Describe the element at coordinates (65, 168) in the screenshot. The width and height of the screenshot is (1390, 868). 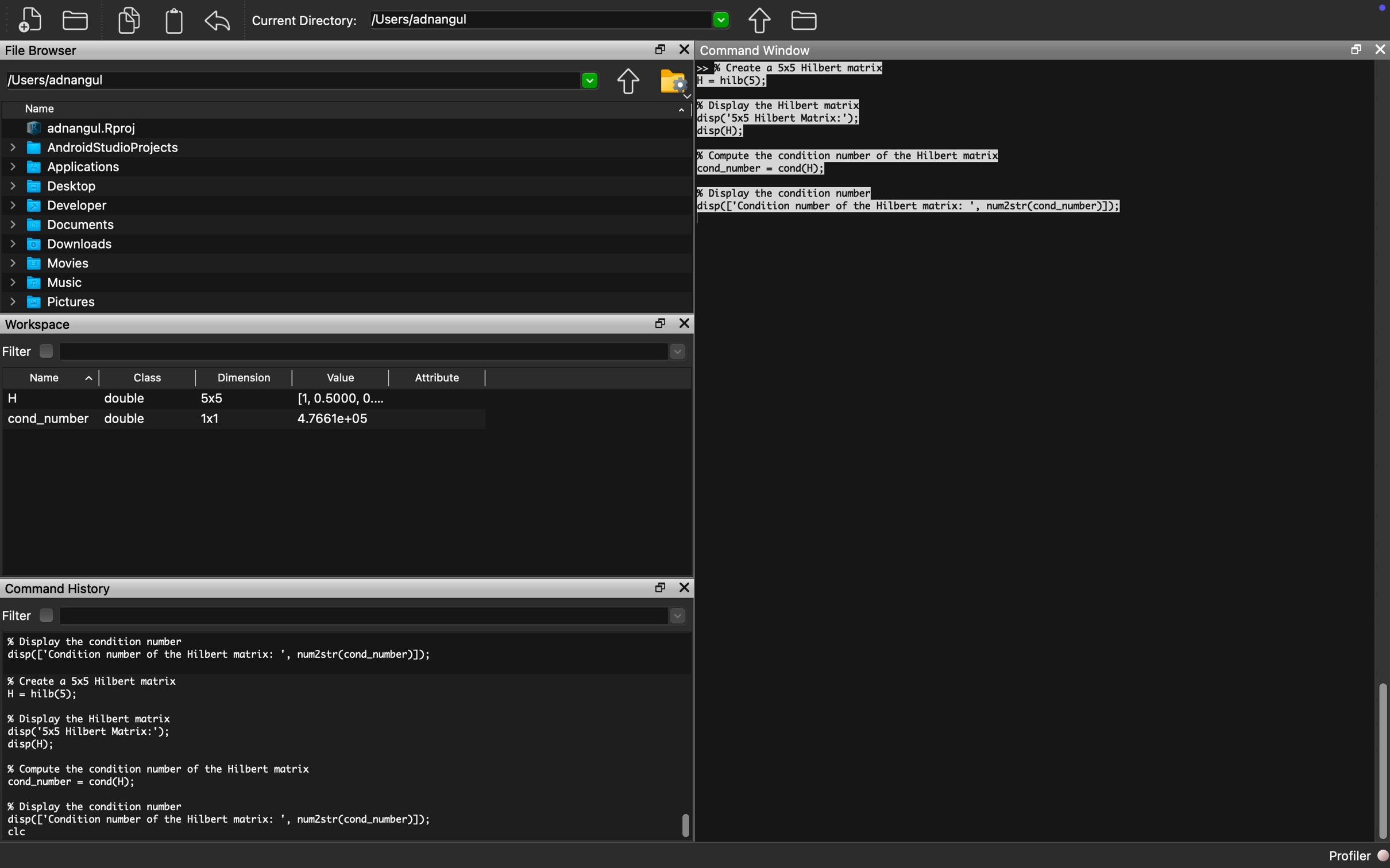
I see `Applications` at that location.